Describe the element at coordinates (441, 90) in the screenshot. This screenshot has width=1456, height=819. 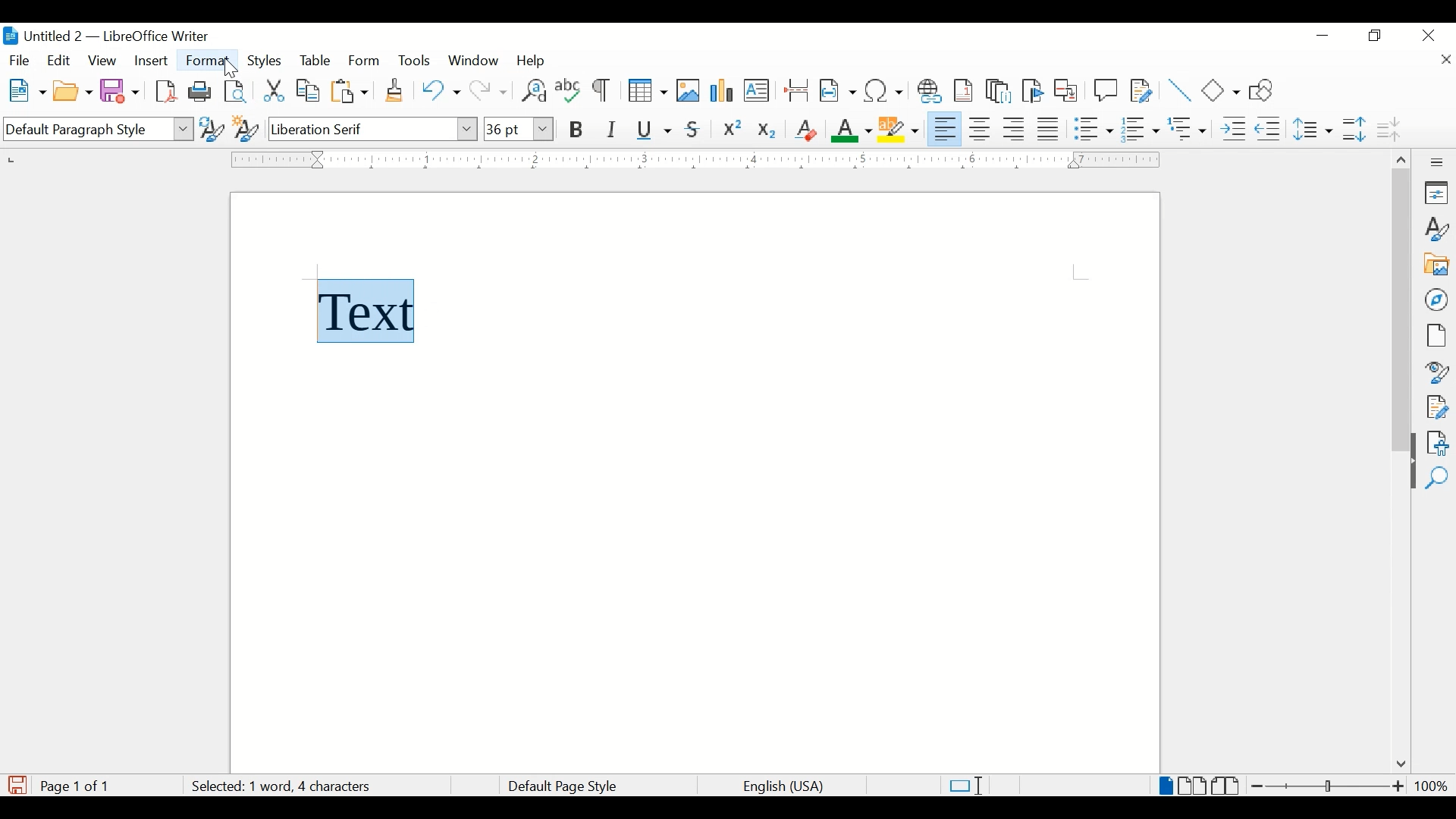
I see `undo` at that location.